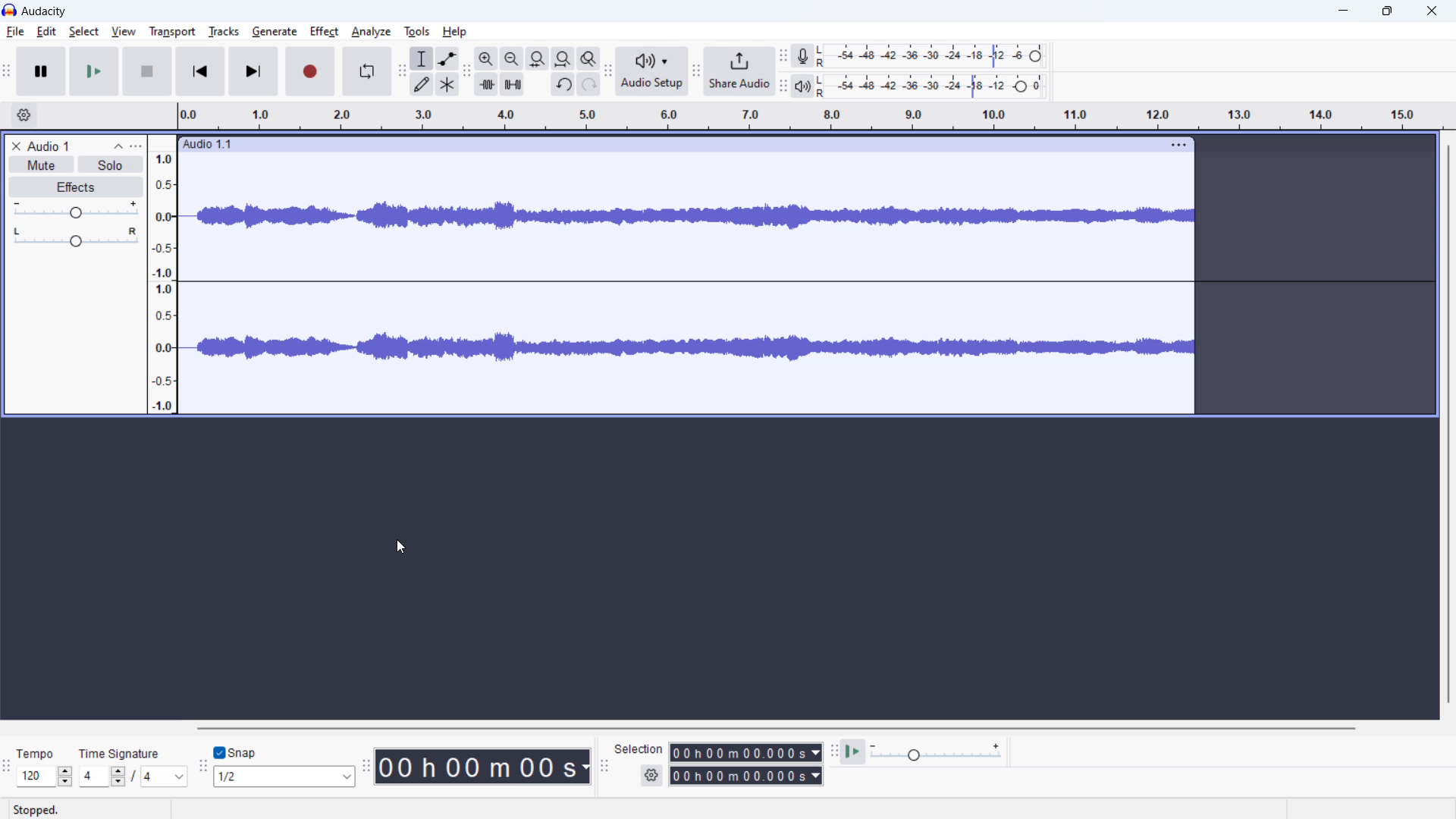 This screenshot has height=819, width=1456. I want to click on toggle zoom, so click(588, 58).